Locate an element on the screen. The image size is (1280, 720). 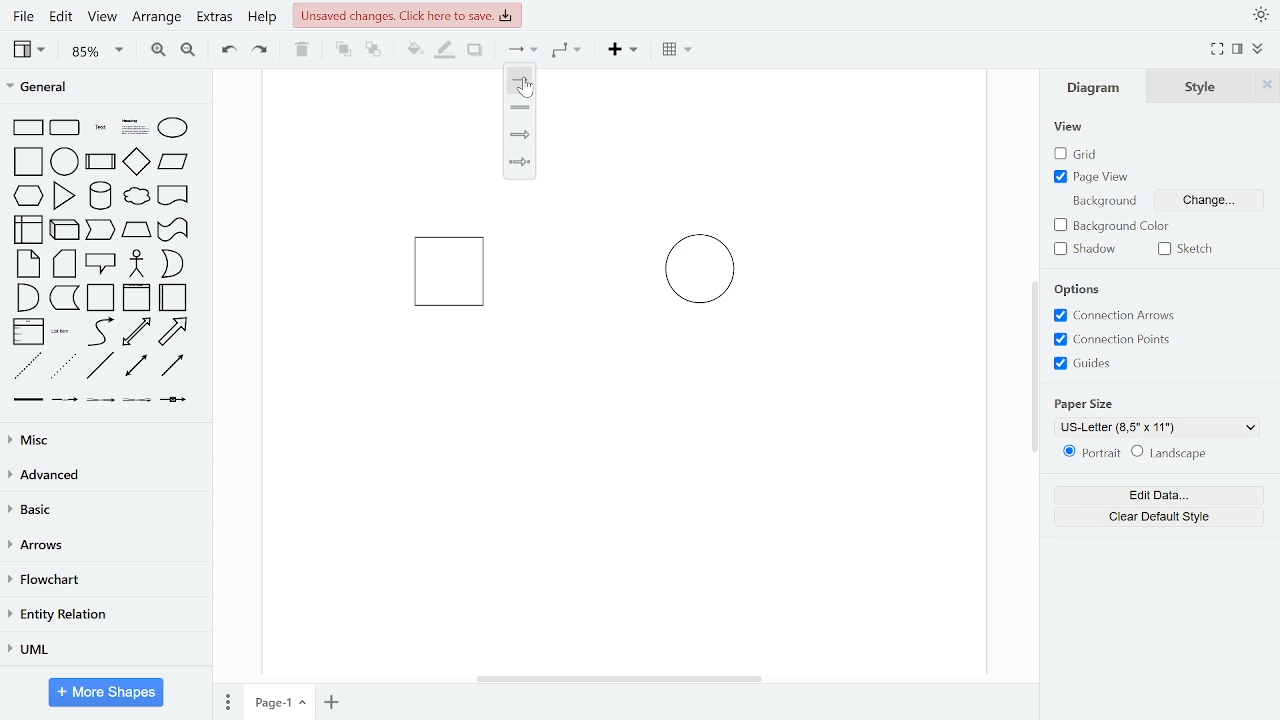
fill line is located at coordinates (444, 50).